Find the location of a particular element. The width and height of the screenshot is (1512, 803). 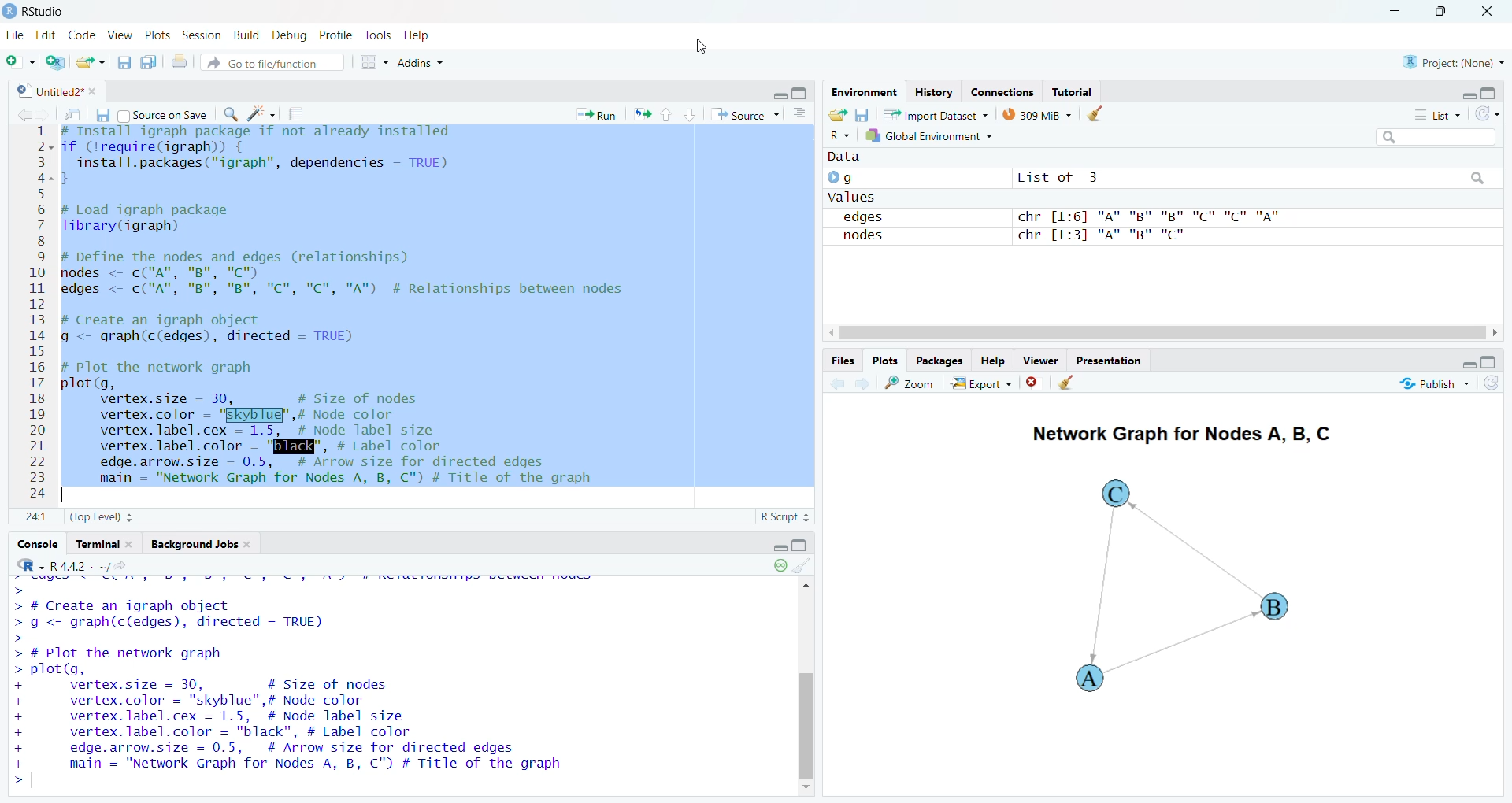

Run is located at coordinates (599, 114).